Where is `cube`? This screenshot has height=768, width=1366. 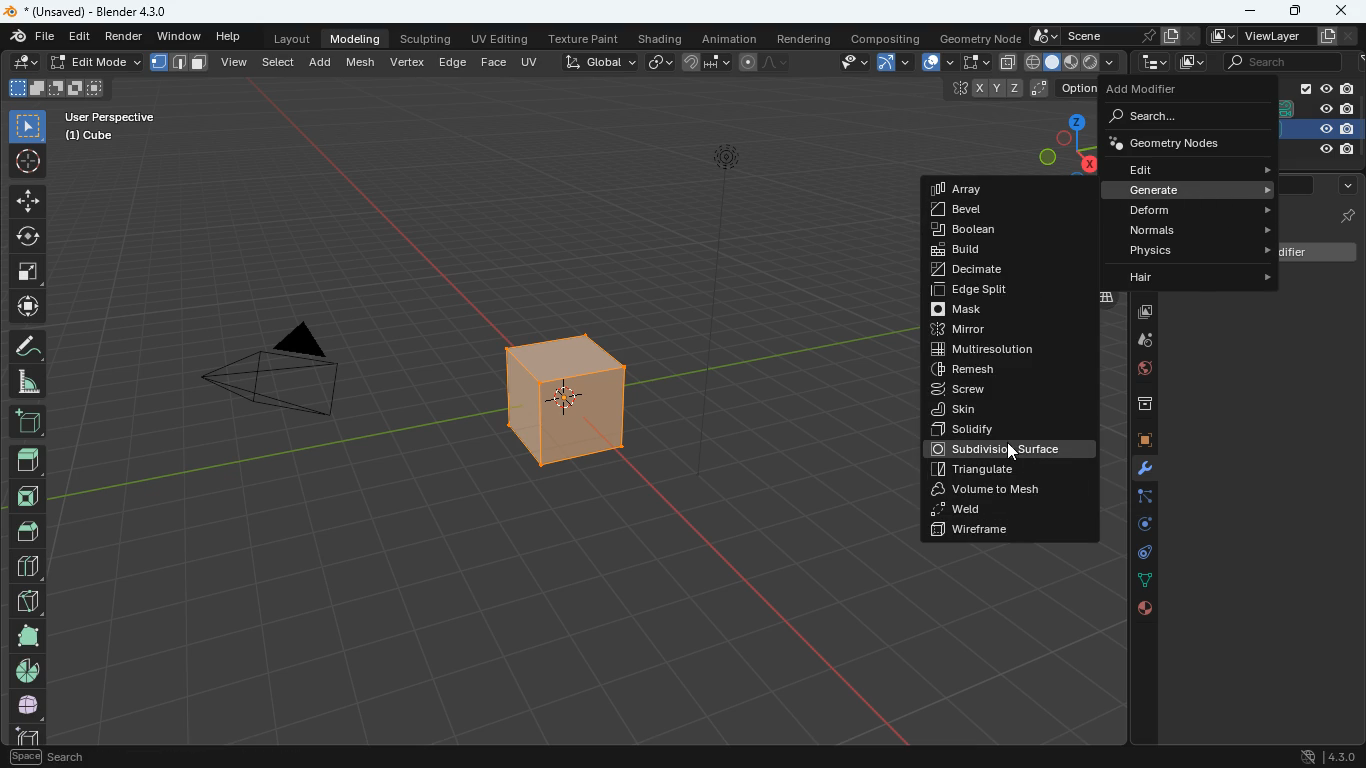 cube is located at coordinates (1346, 217).